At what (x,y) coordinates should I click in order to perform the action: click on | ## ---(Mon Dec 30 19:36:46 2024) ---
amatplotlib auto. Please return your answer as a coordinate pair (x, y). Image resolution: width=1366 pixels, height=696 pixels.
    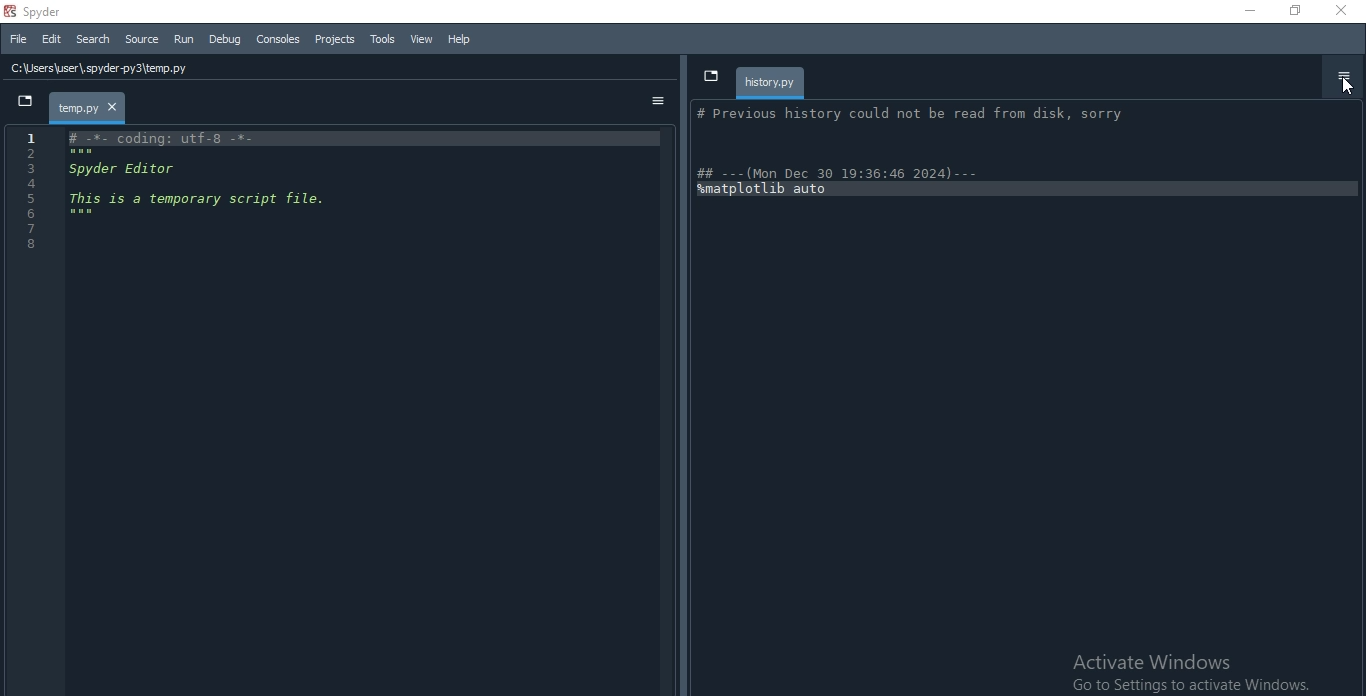
    Looking at the image, I should click on (849, 181).